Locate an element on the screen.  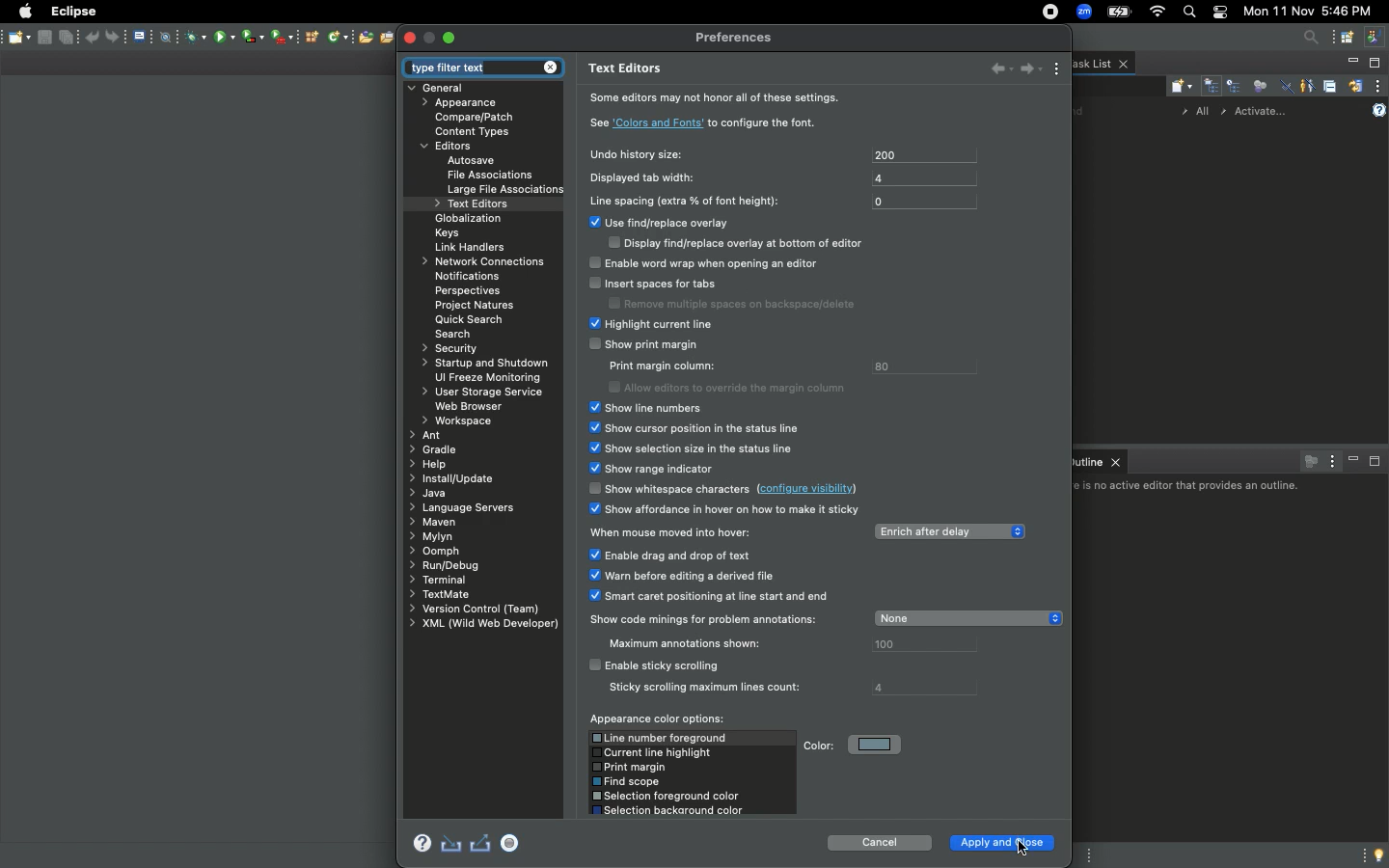
Line spacing is located at coordinates (692, 200).